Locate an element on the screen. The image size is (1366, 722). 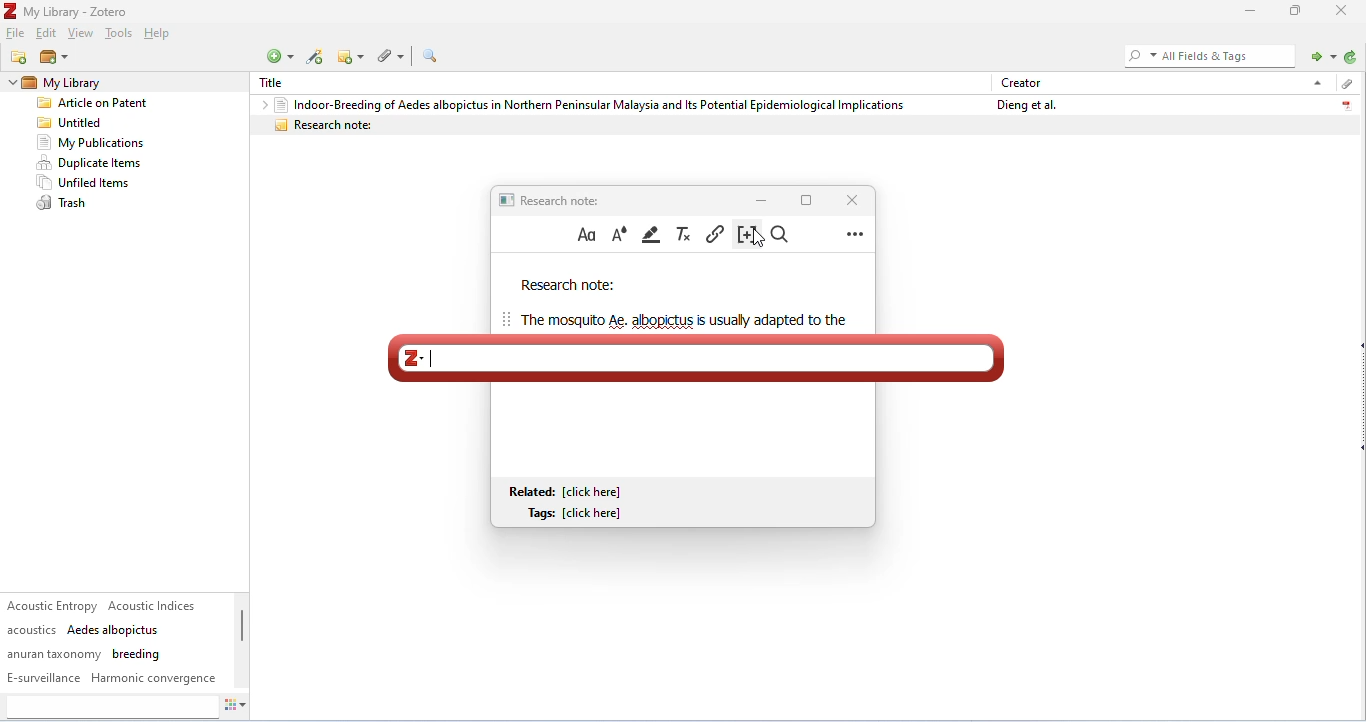
duplicate items is located at coordinates (91, 163).